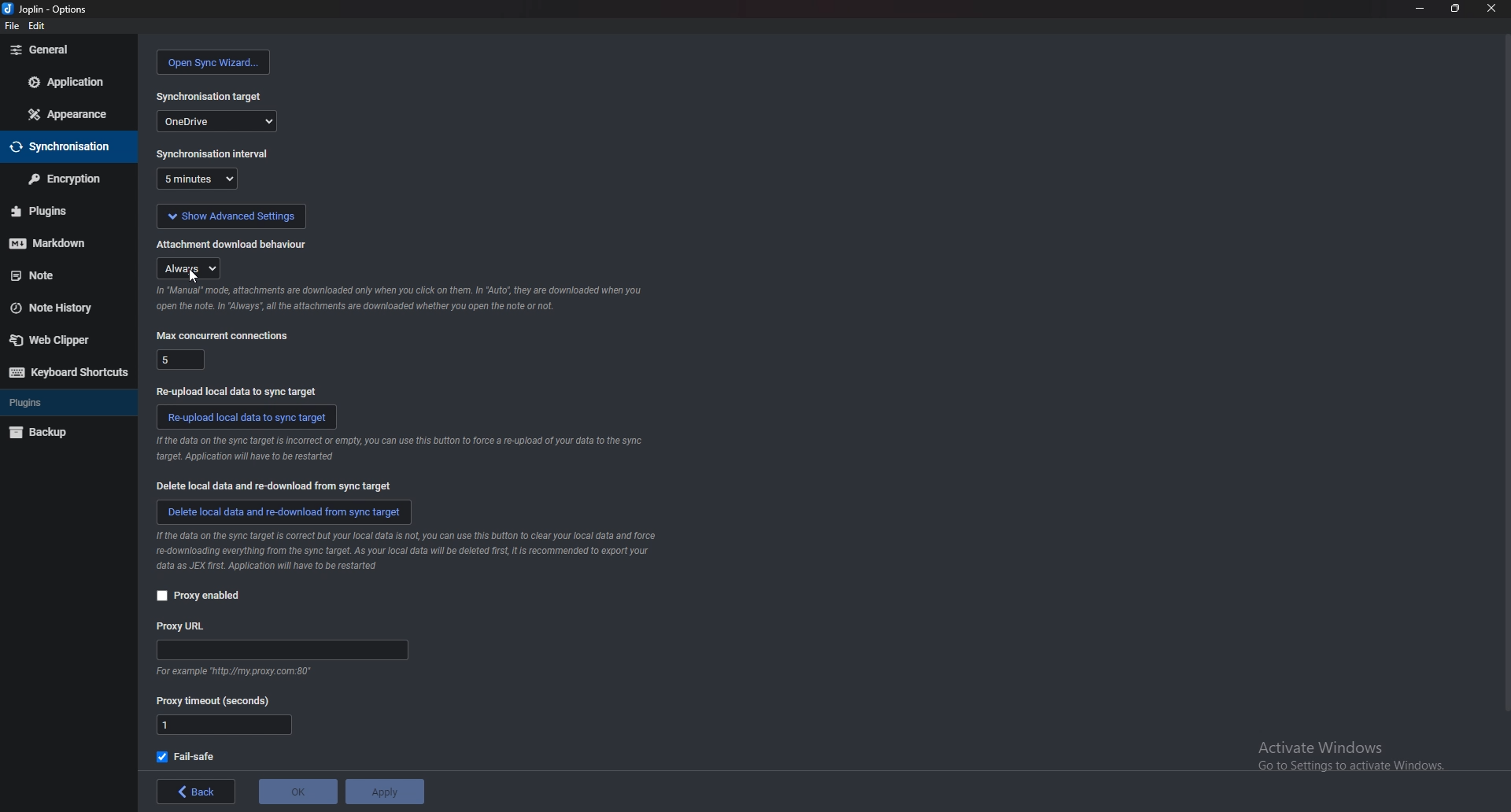 This screenshot has height=812, width=1511. I want to click on plugins, so click(63, 211).